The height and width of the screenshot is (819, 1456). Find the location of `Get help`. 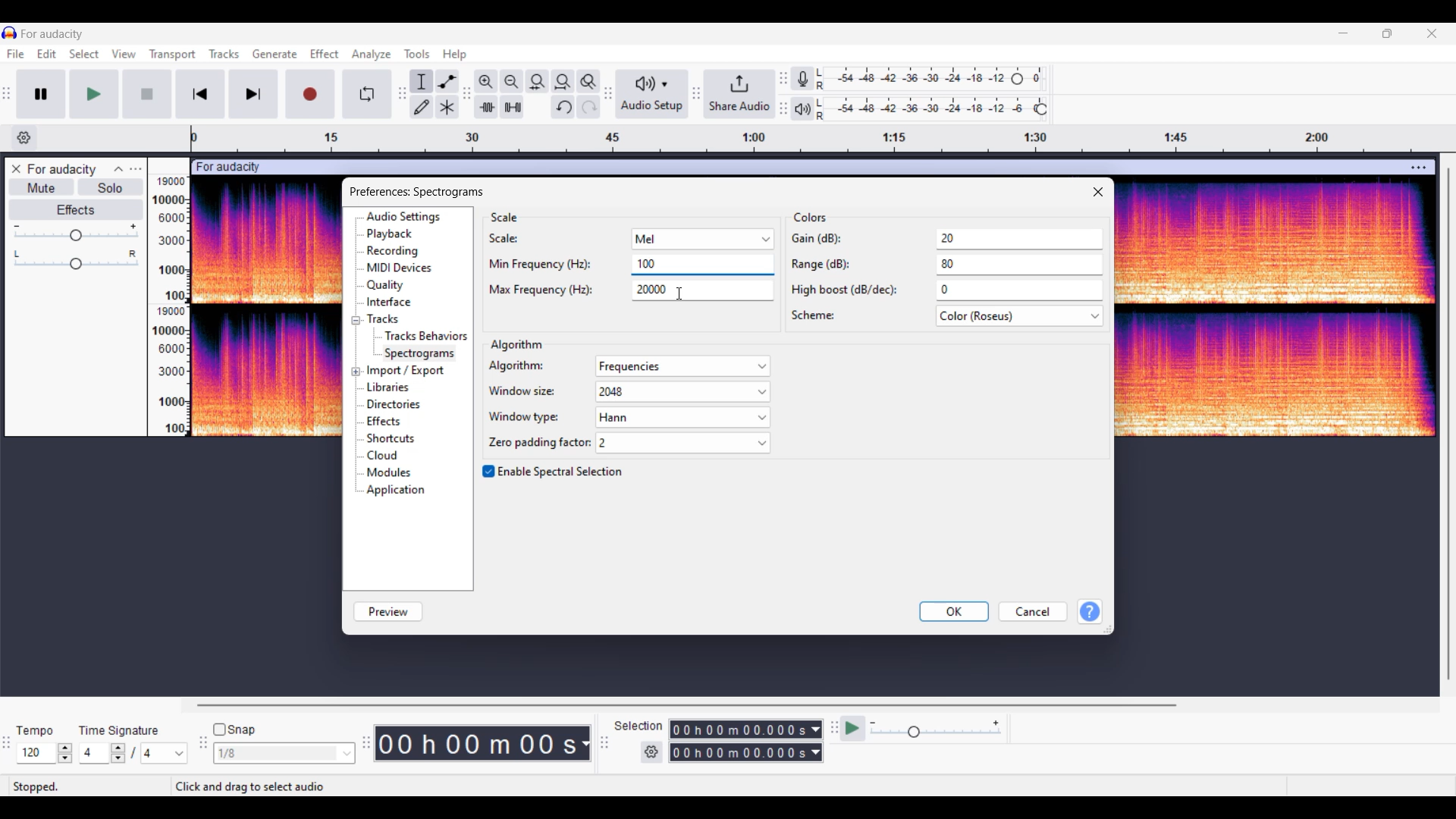

Get help is located at coordinates (1090, 611).